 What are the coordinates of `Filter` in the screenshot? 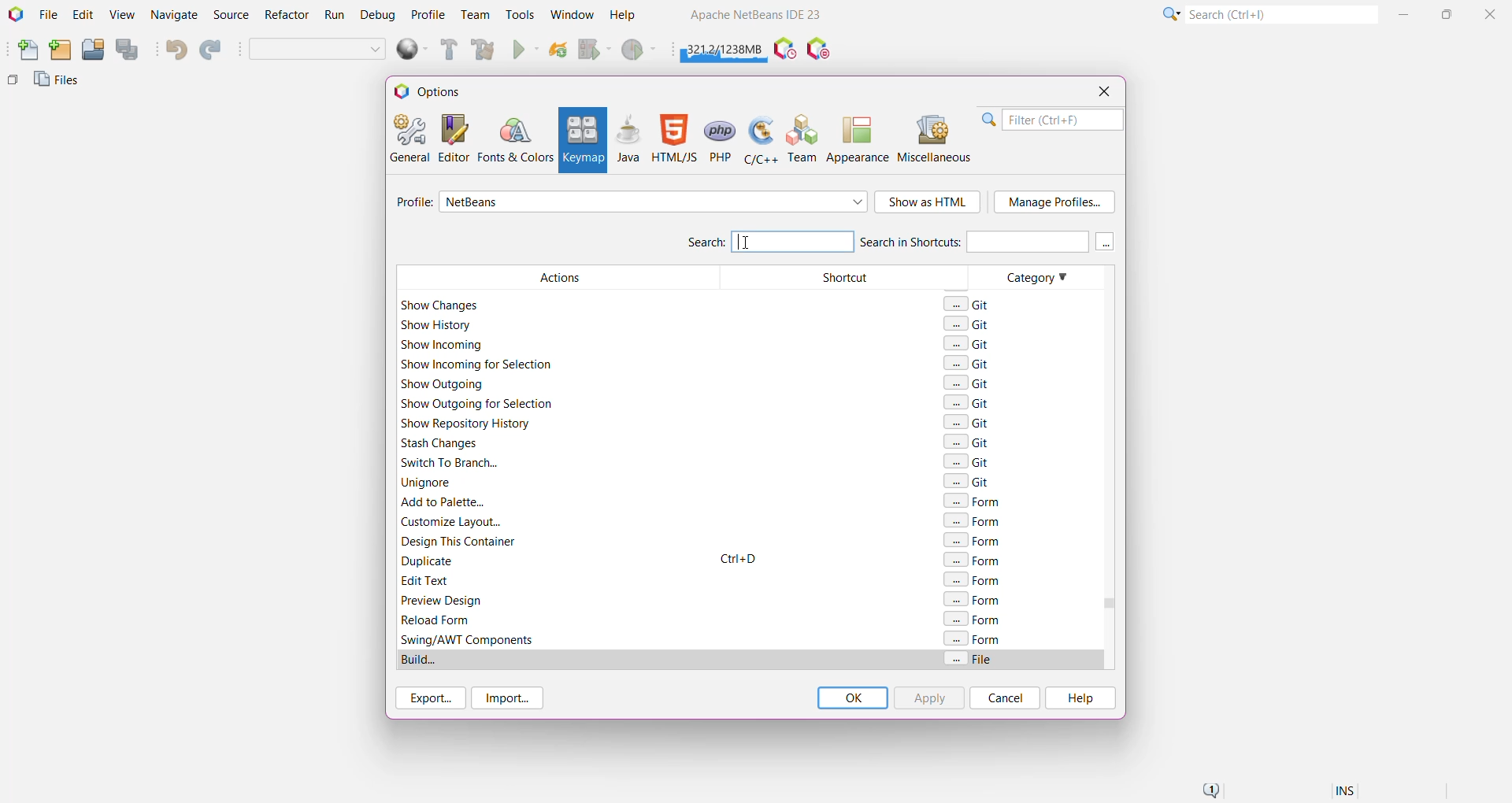 It's located at (1052, 120).